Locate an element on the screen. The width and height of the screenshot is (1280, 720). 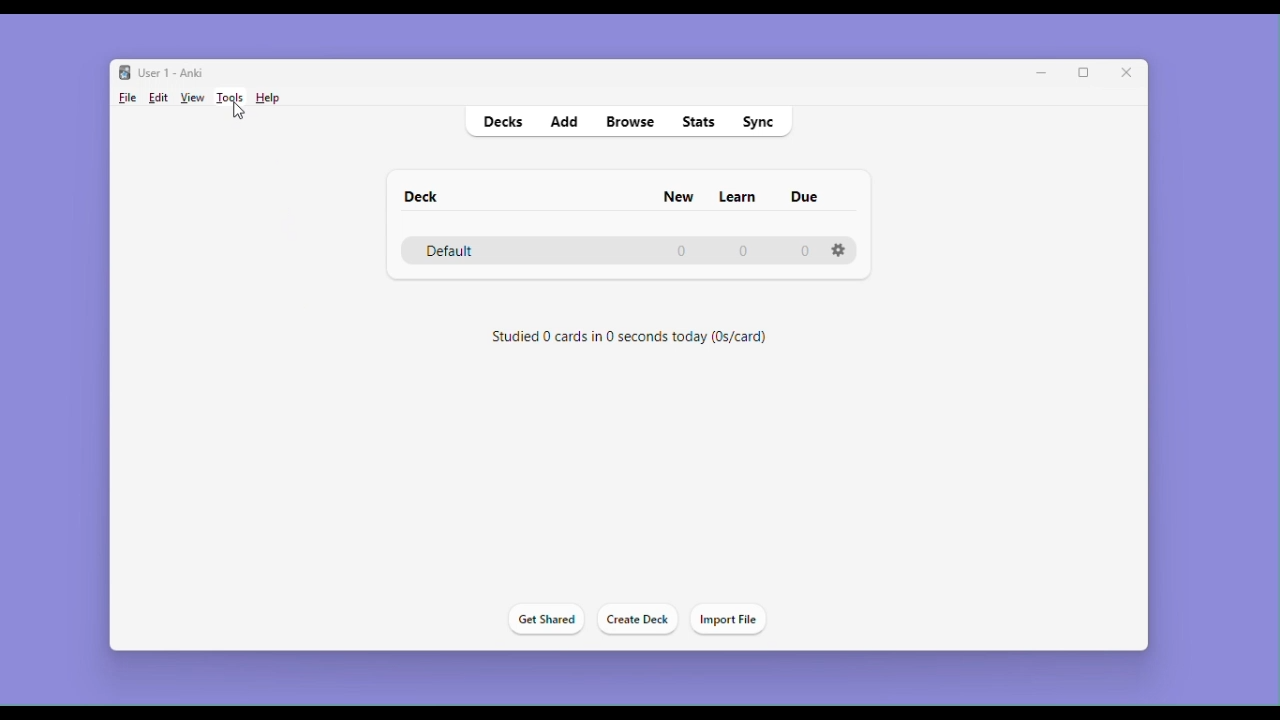
Studied 0 cards in 0 seconds today (0s/card) is located at coordinates (637, 340).